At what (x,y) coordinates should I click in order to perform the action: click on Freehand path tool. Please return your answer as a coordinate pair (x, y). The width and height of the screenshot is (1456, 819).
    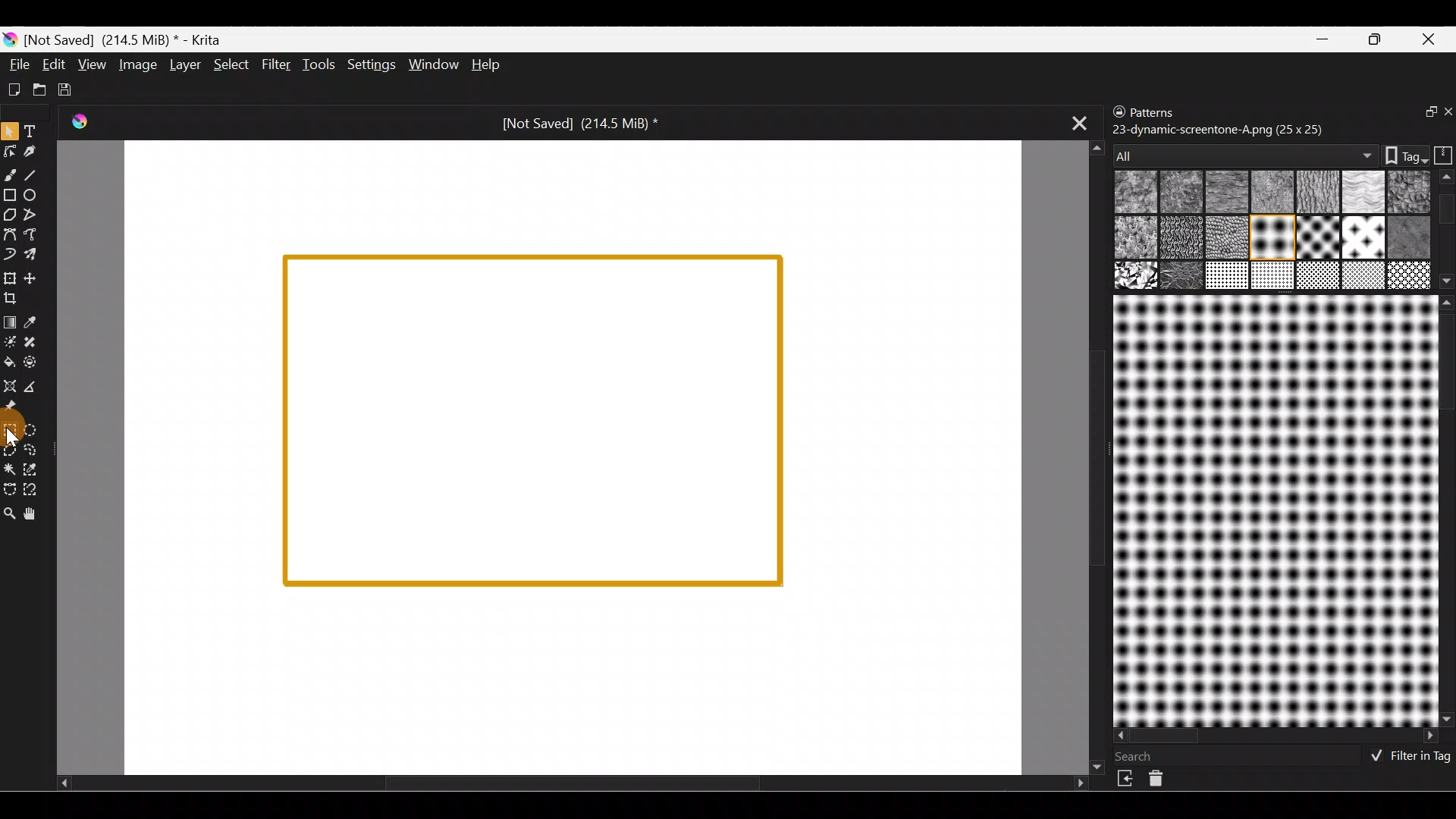
    Looking at the image, I should click on (33, 234).